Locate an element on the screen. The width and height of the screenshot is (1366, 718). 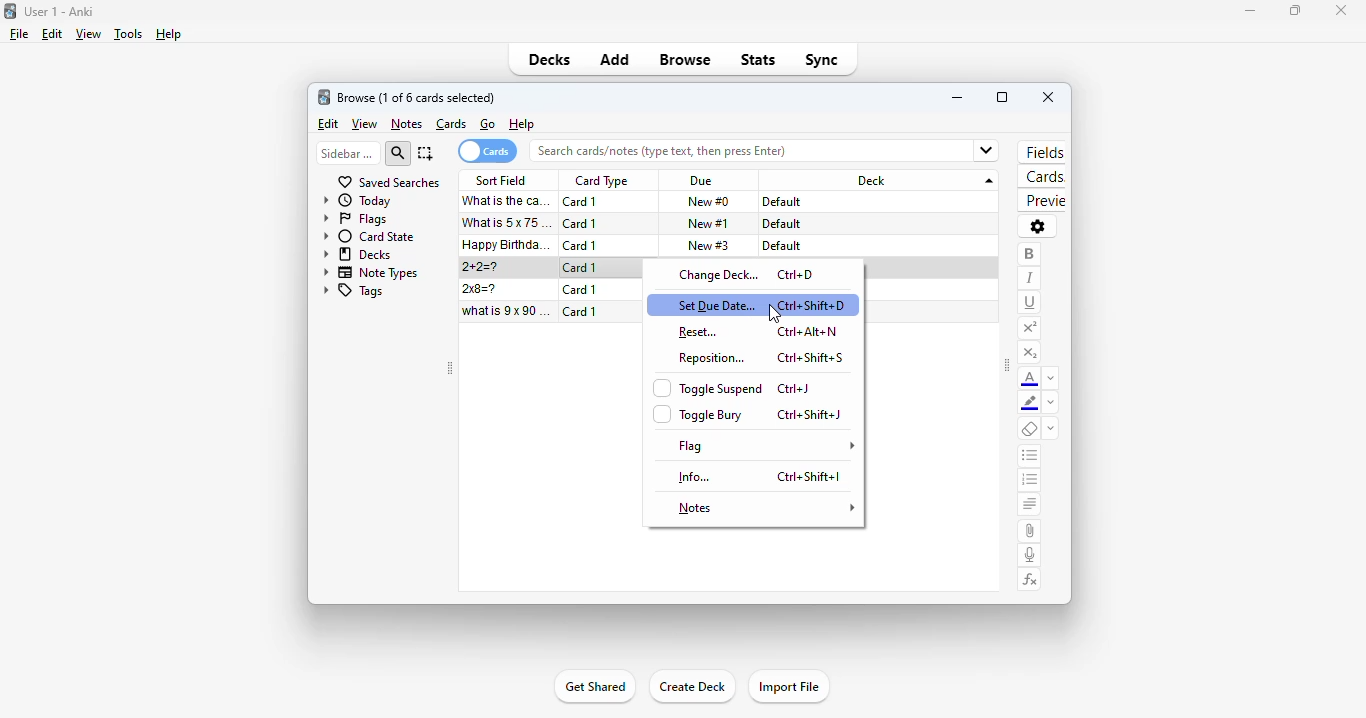
Ctrl+Shift+S is located at coordinates (812, 360).